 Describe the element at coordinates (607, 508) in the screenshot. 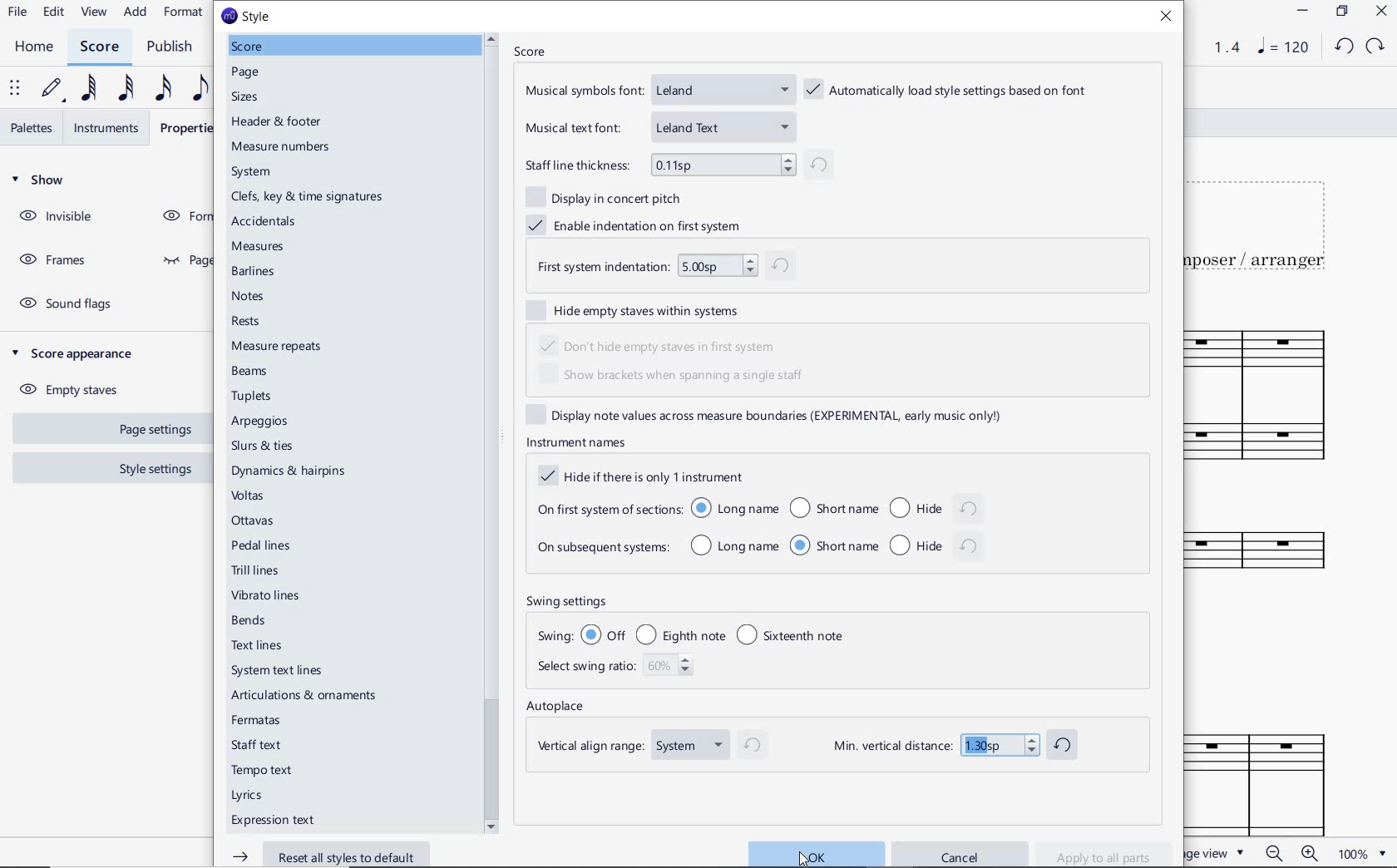

I see `ON first system of sections` at that location.